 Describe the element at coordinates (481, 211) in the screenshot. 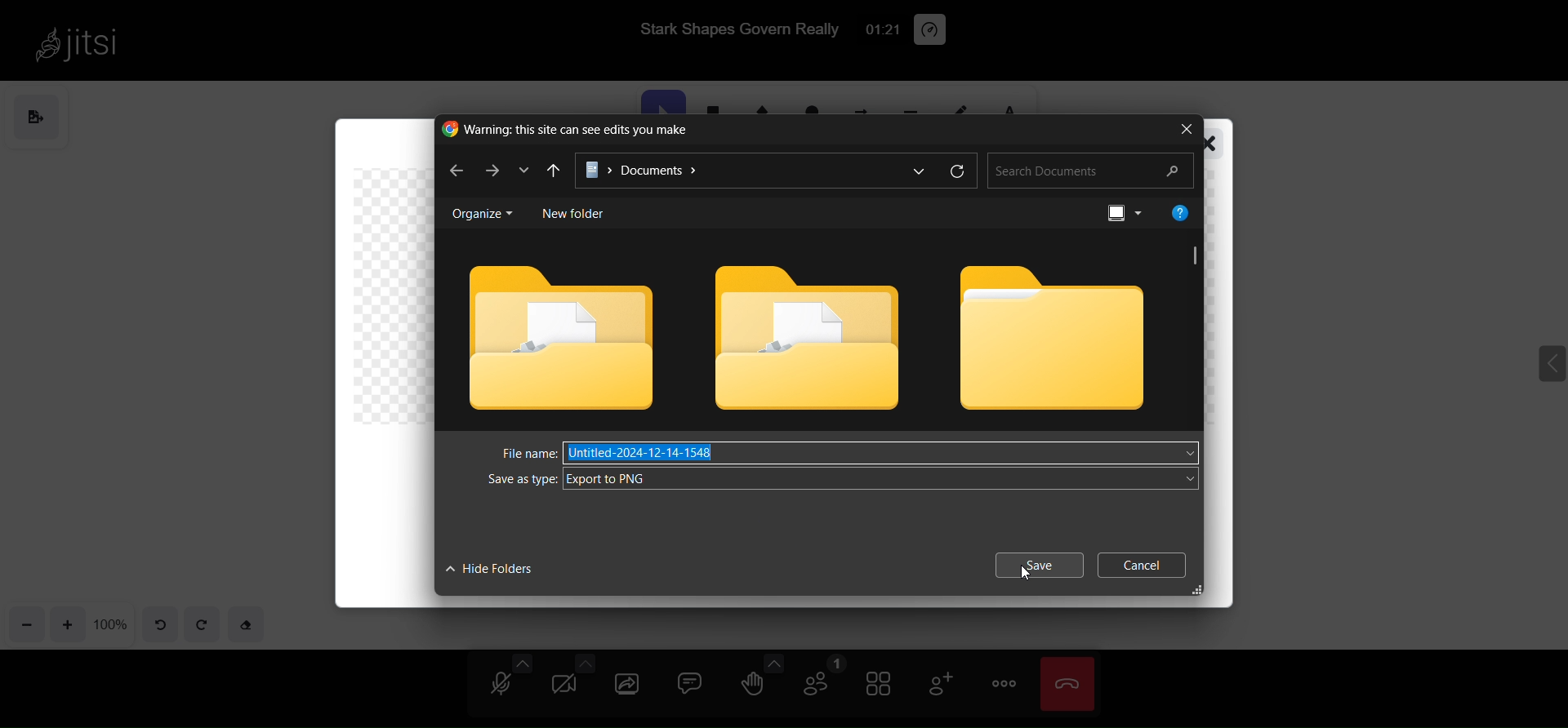

I see `organise` at that location.